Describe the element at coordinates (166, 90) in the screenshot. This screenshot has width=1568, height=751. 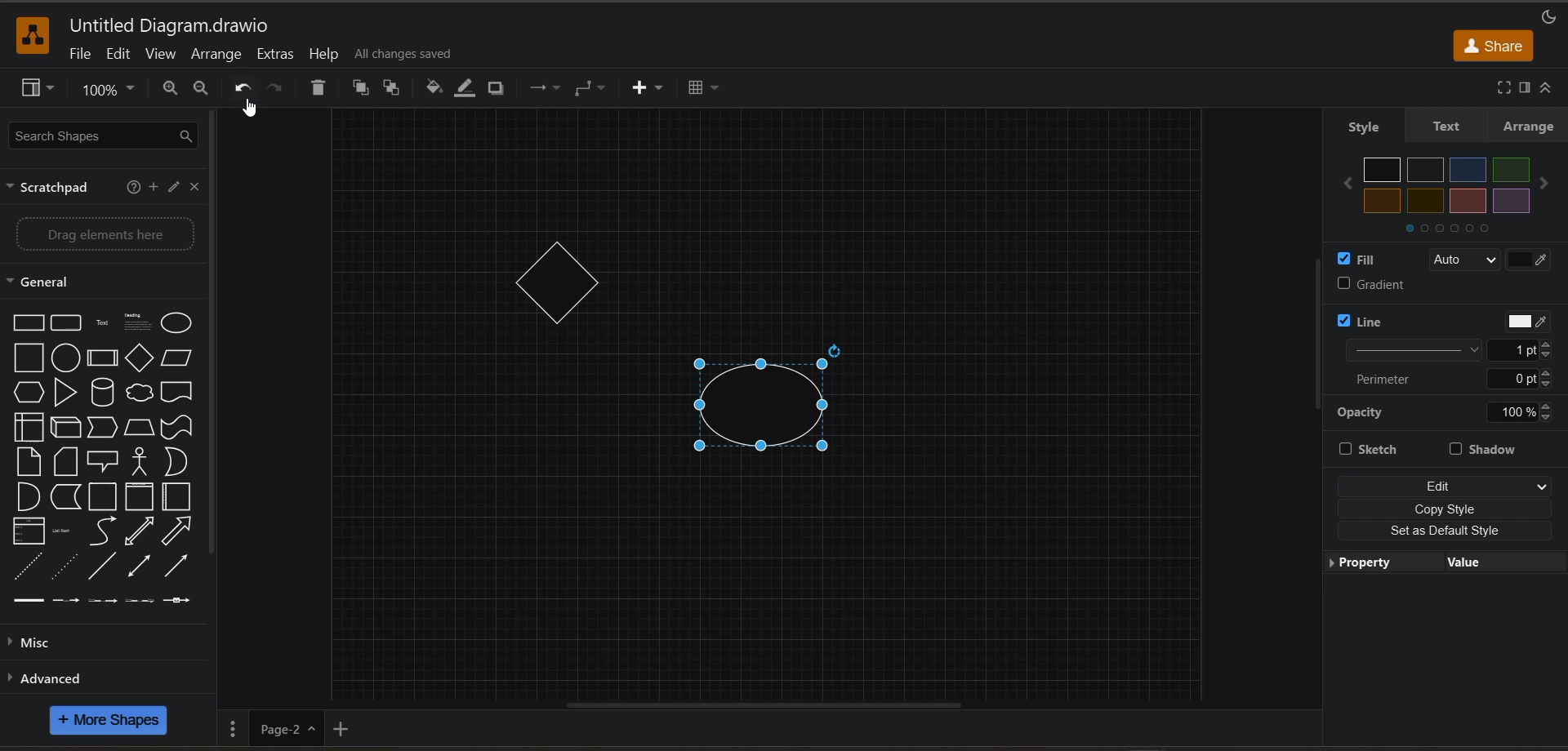
I see `zoom in` at that location.